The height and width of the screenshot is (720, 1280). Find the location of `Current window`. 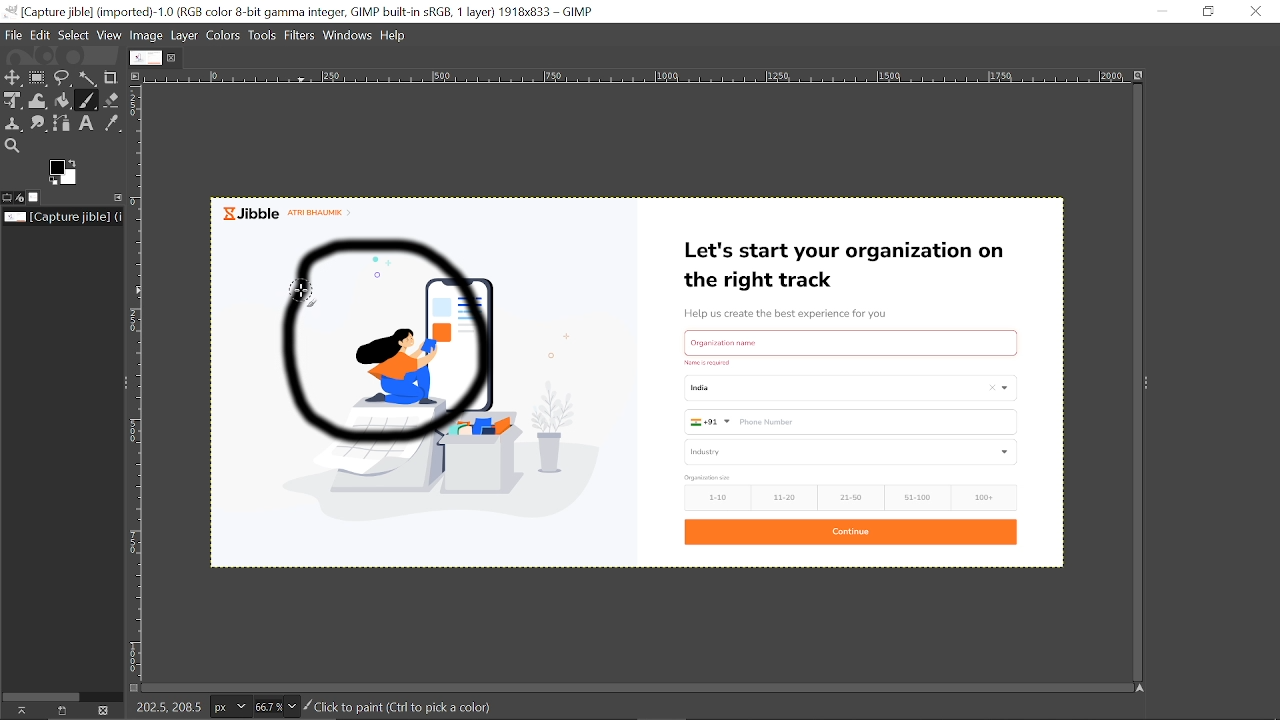

Current window is located at coordinates (300, 12).